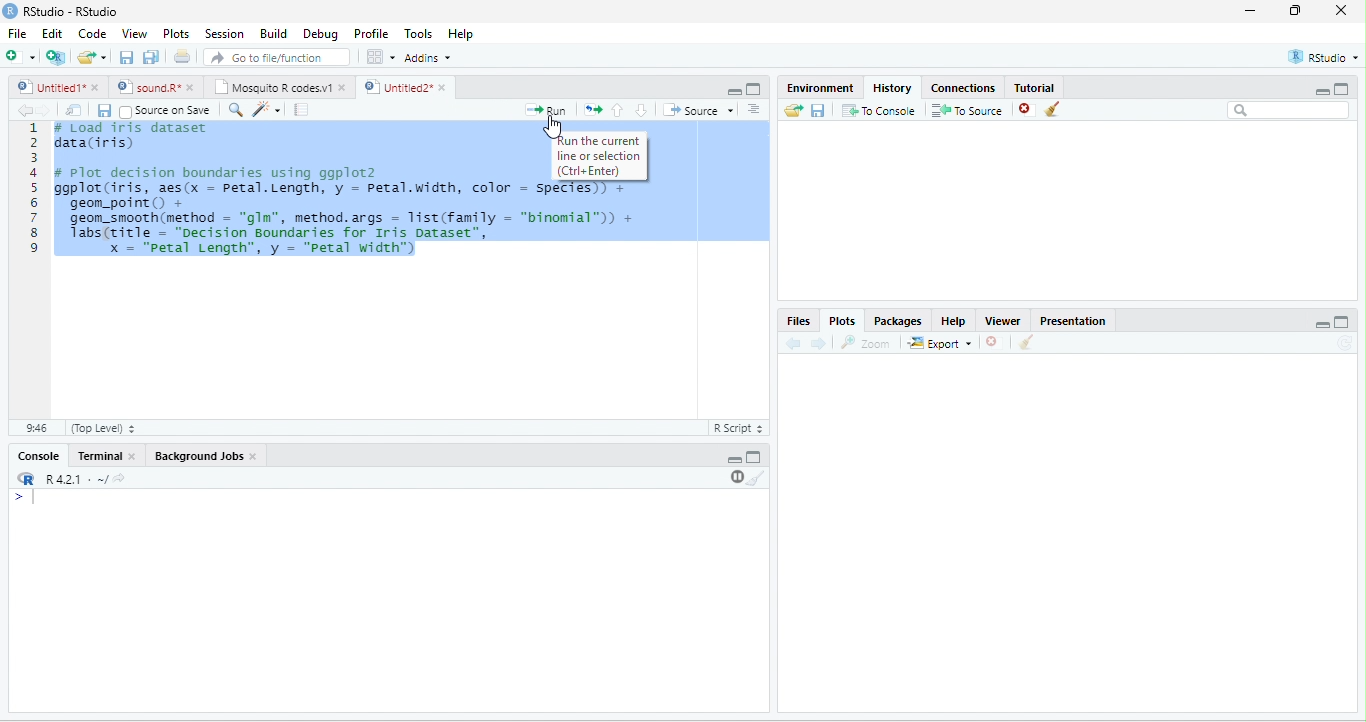  I want to click on Plots, so click(176, 34).